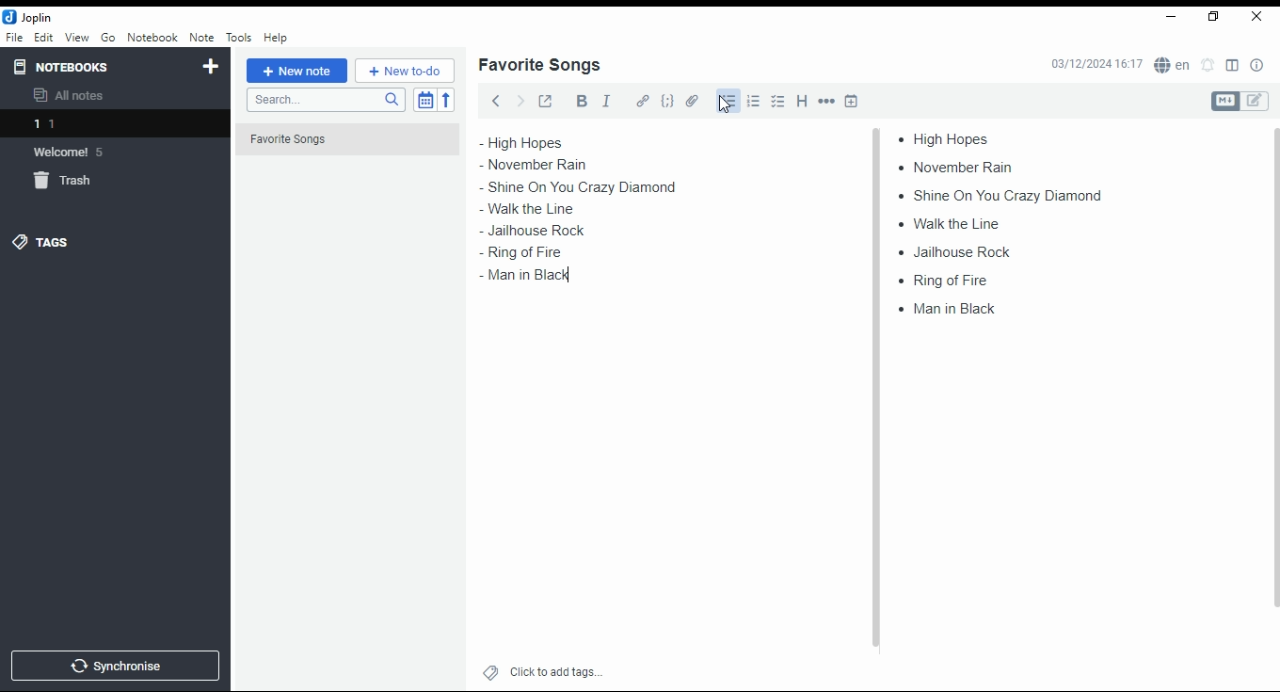  I want to click on note properties, so click(1258, 66).